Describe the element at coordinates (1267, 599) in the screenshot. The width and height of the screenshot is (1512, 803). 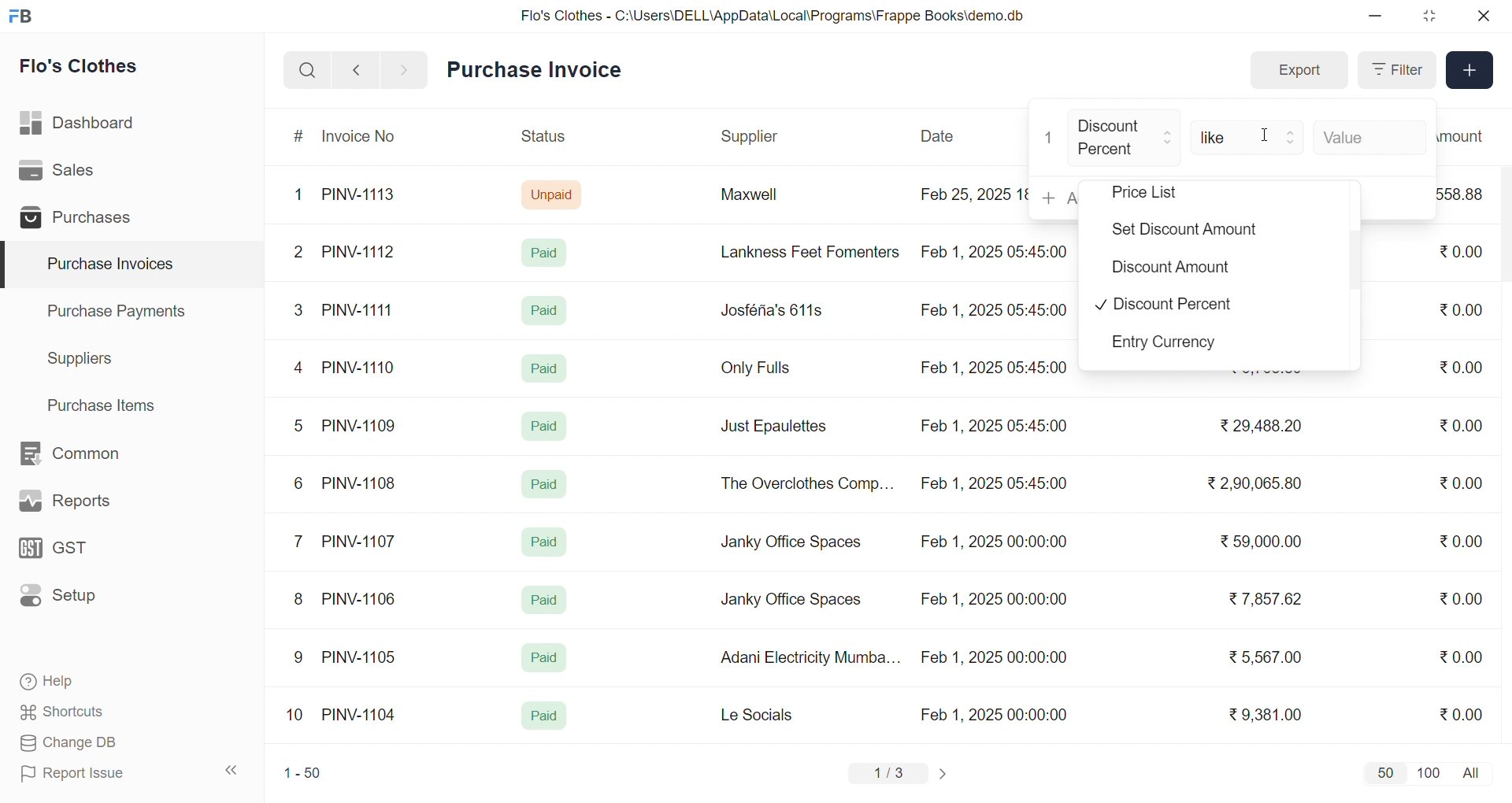
I see `₹ 7,857.62` at that location.